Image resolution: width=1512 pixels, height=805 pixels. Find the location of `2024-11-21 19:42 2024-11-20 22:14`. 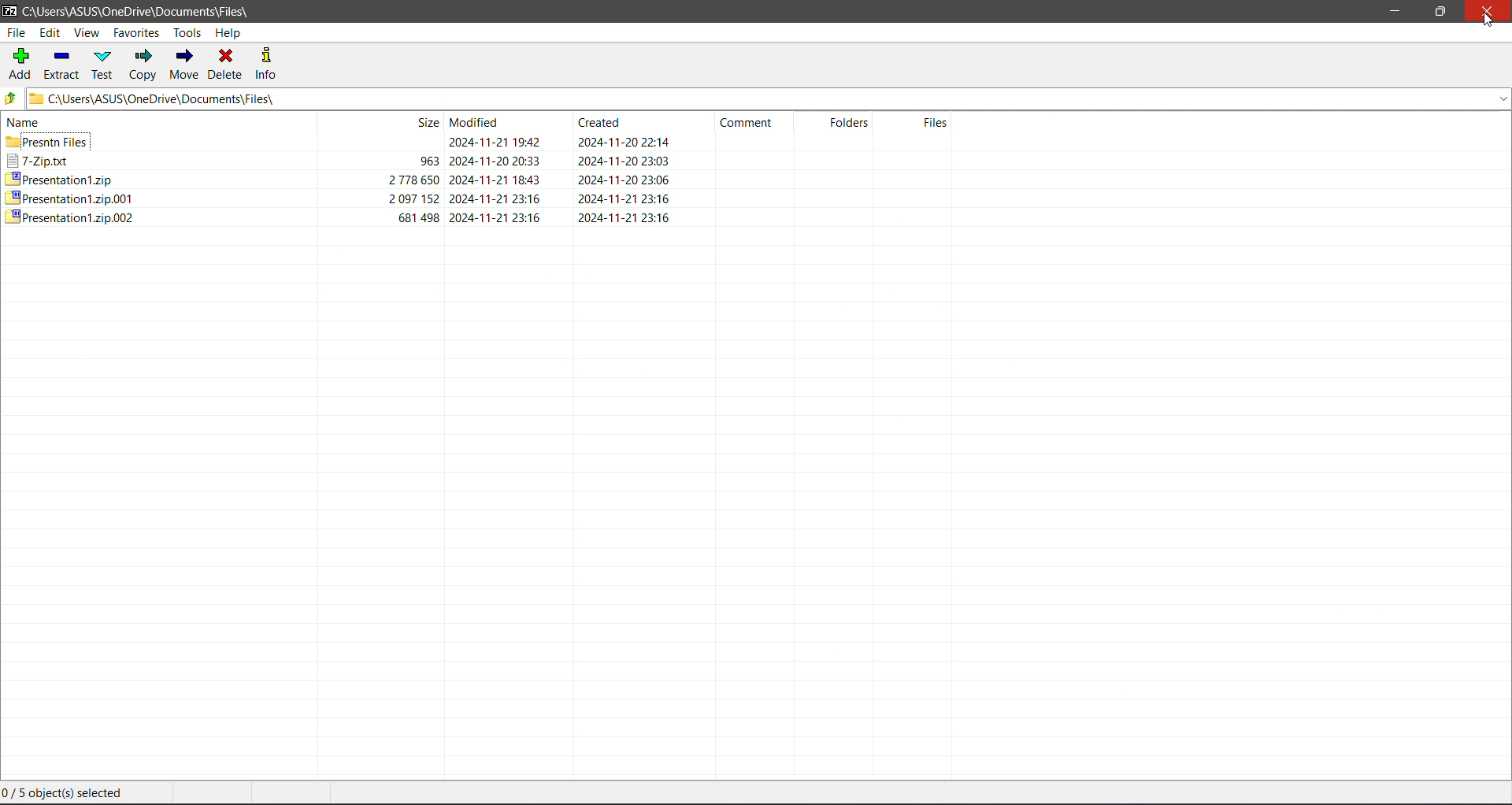

2024-11-21 19:42 2024-11-20 22:14 is located at coordinates (546, 143).